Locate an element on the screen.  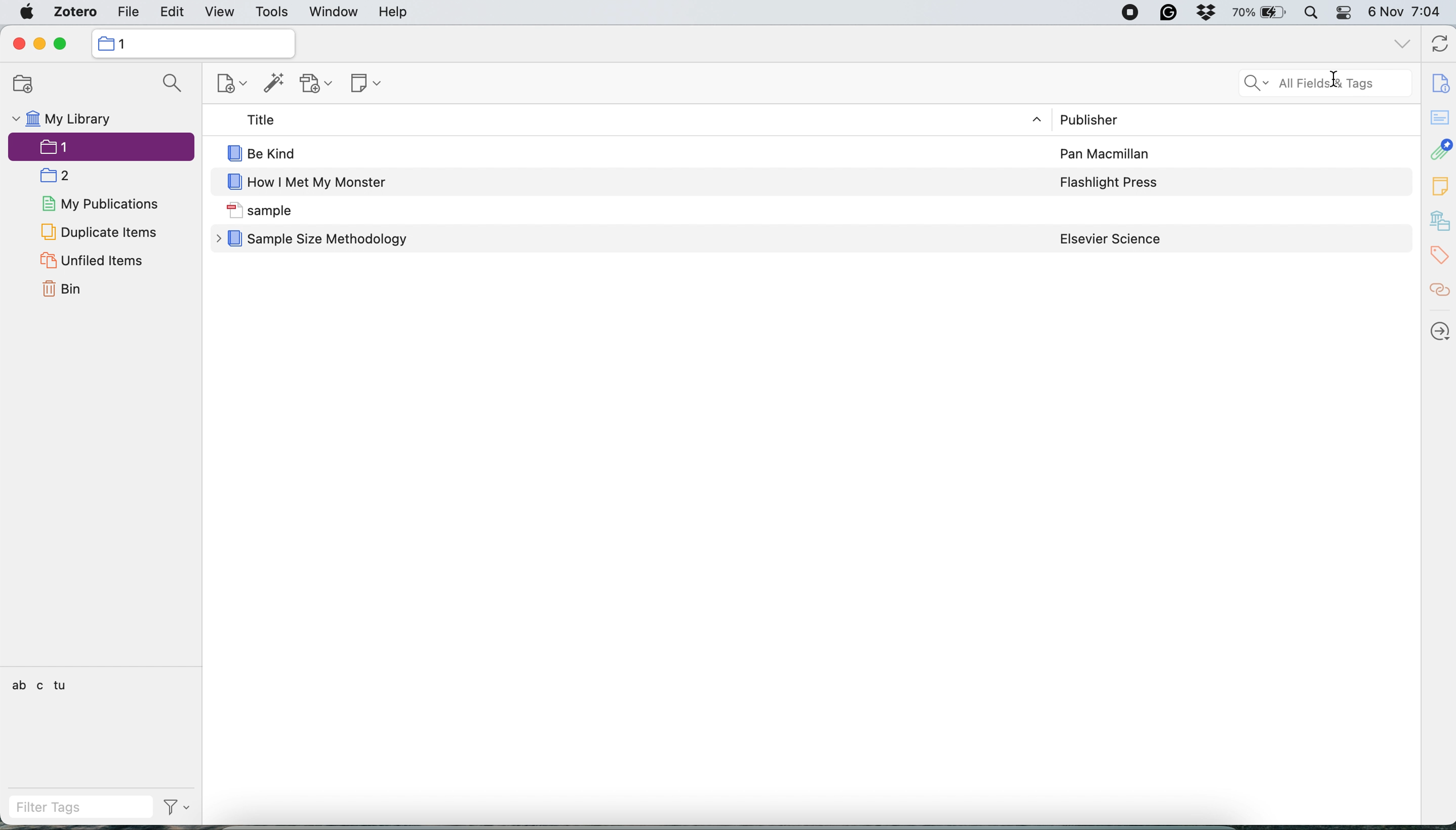
filter tags drop down is located at coordinates (180, 807).